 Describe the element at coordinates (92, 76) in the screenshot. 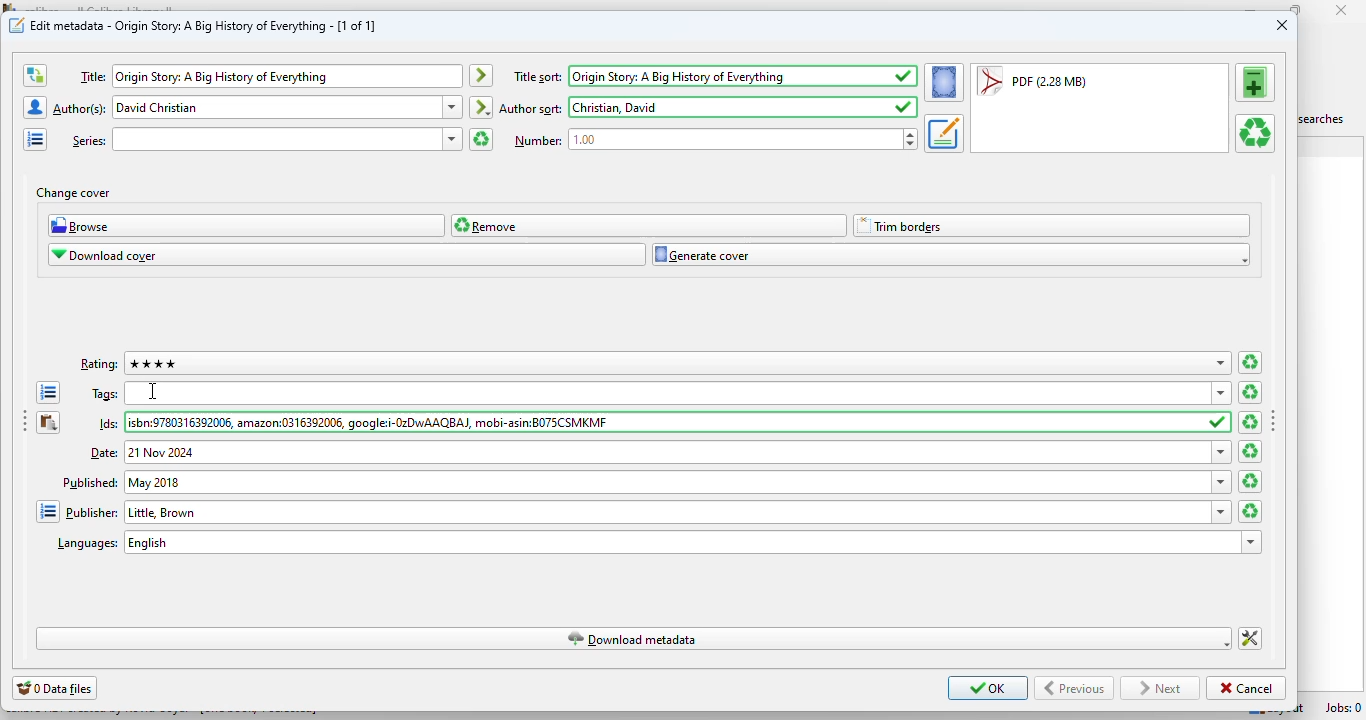

I see `text` at that location.